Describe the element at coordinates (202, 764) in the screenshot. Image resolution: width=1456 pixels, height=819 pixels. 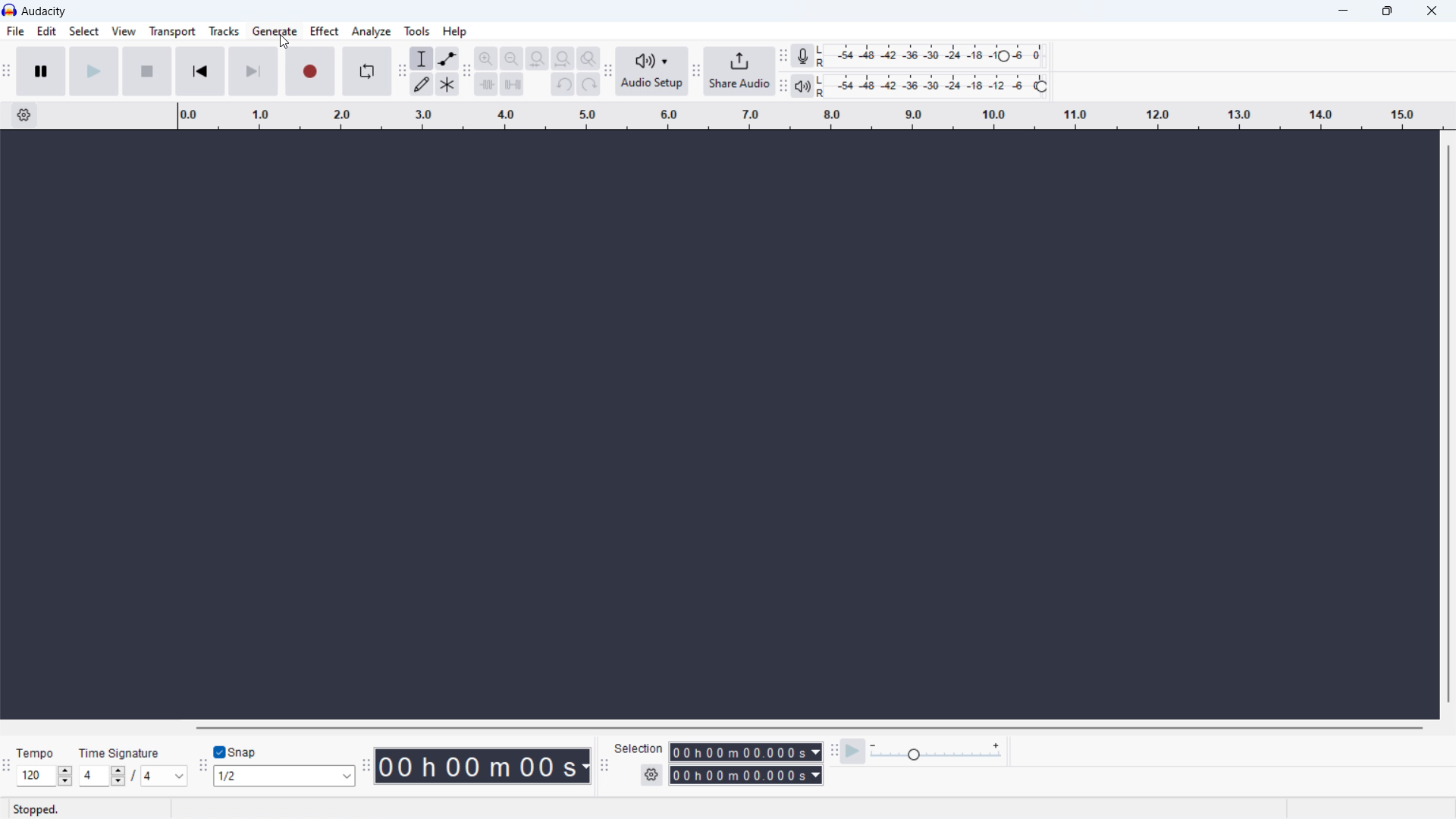
I see `snapping toolbar` at that location.